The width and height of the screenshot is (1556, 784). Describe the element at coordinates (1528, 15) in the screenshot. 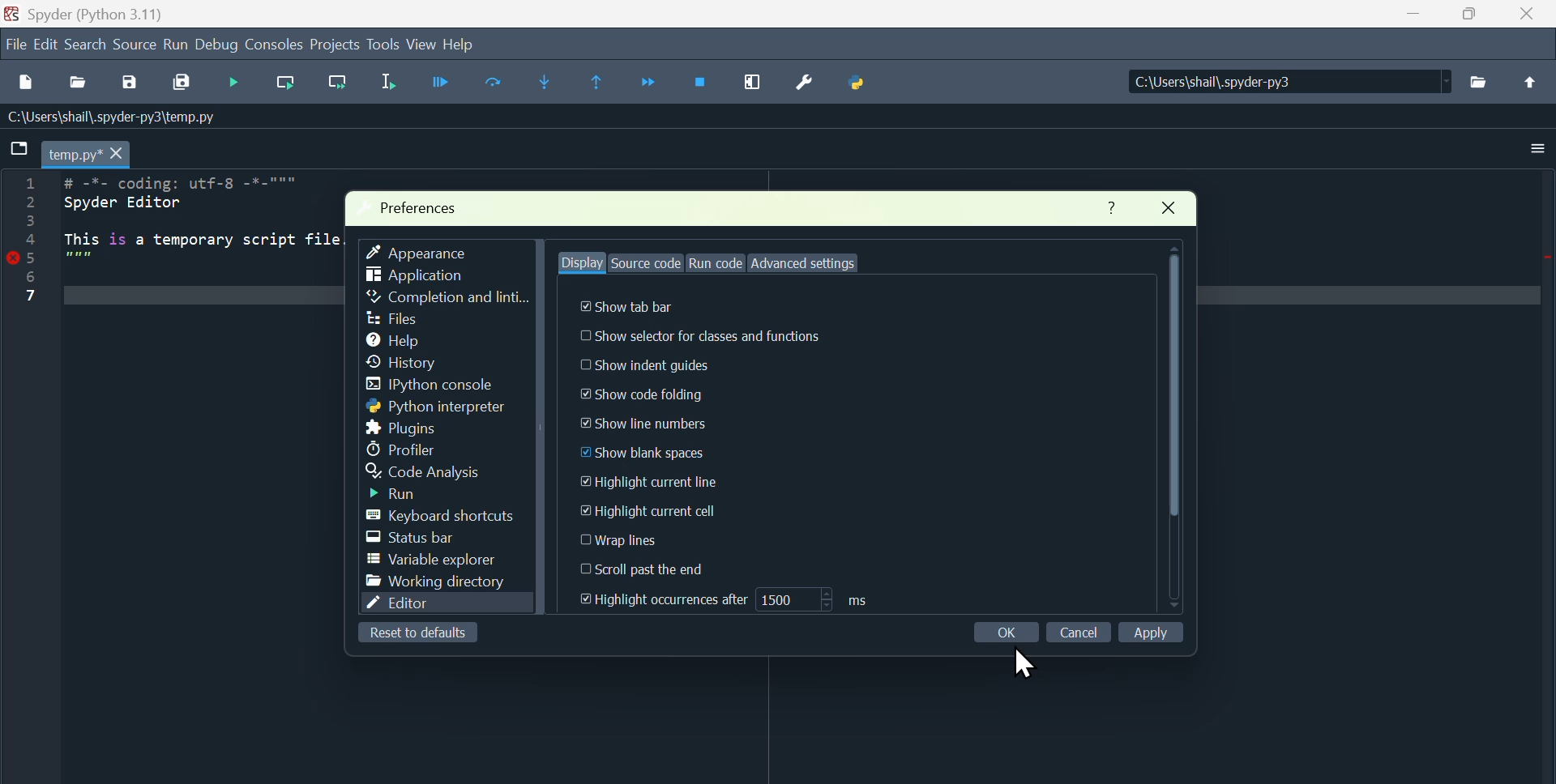

I see `close` at that location.